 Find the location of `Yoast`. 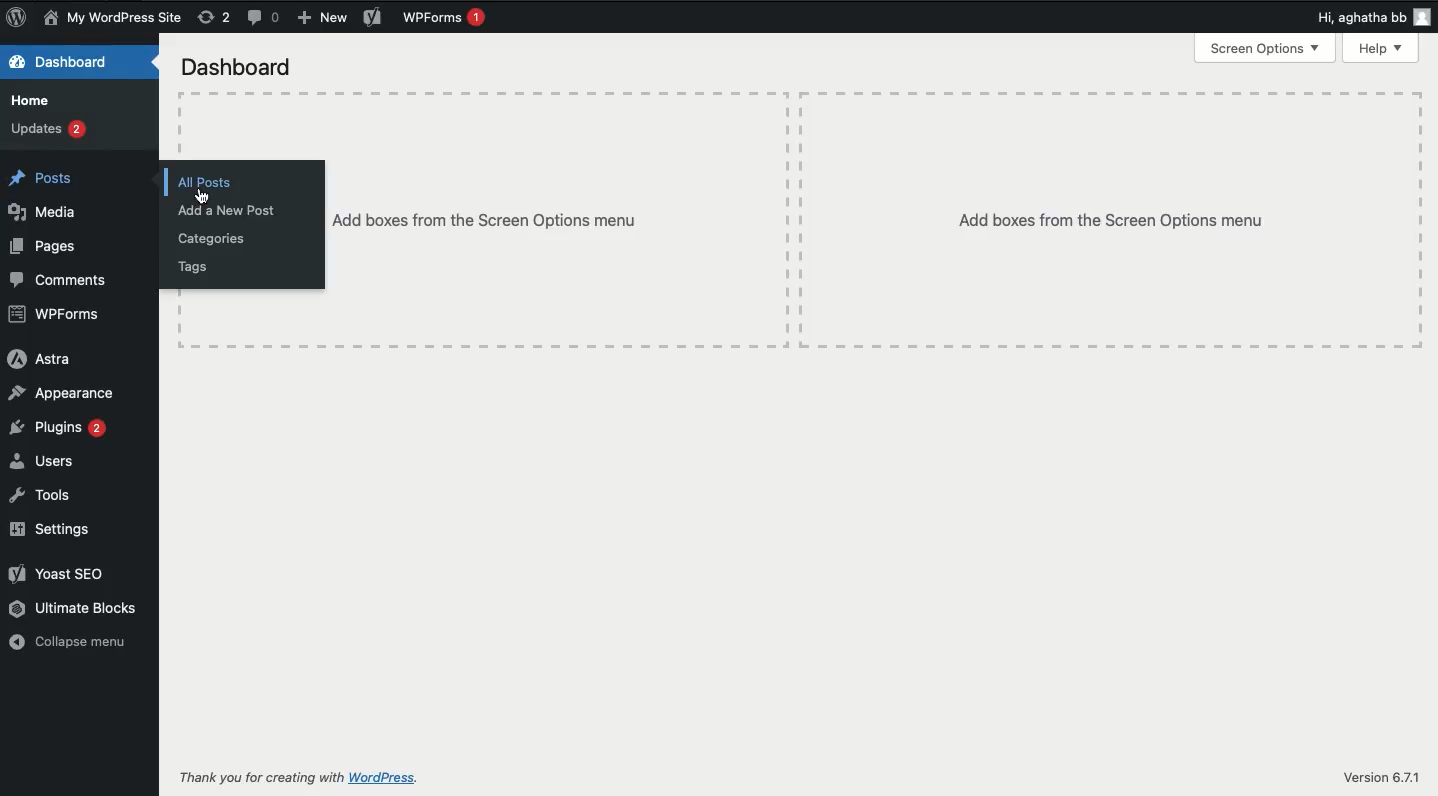

Yoast is located at coordinates (70, 573).